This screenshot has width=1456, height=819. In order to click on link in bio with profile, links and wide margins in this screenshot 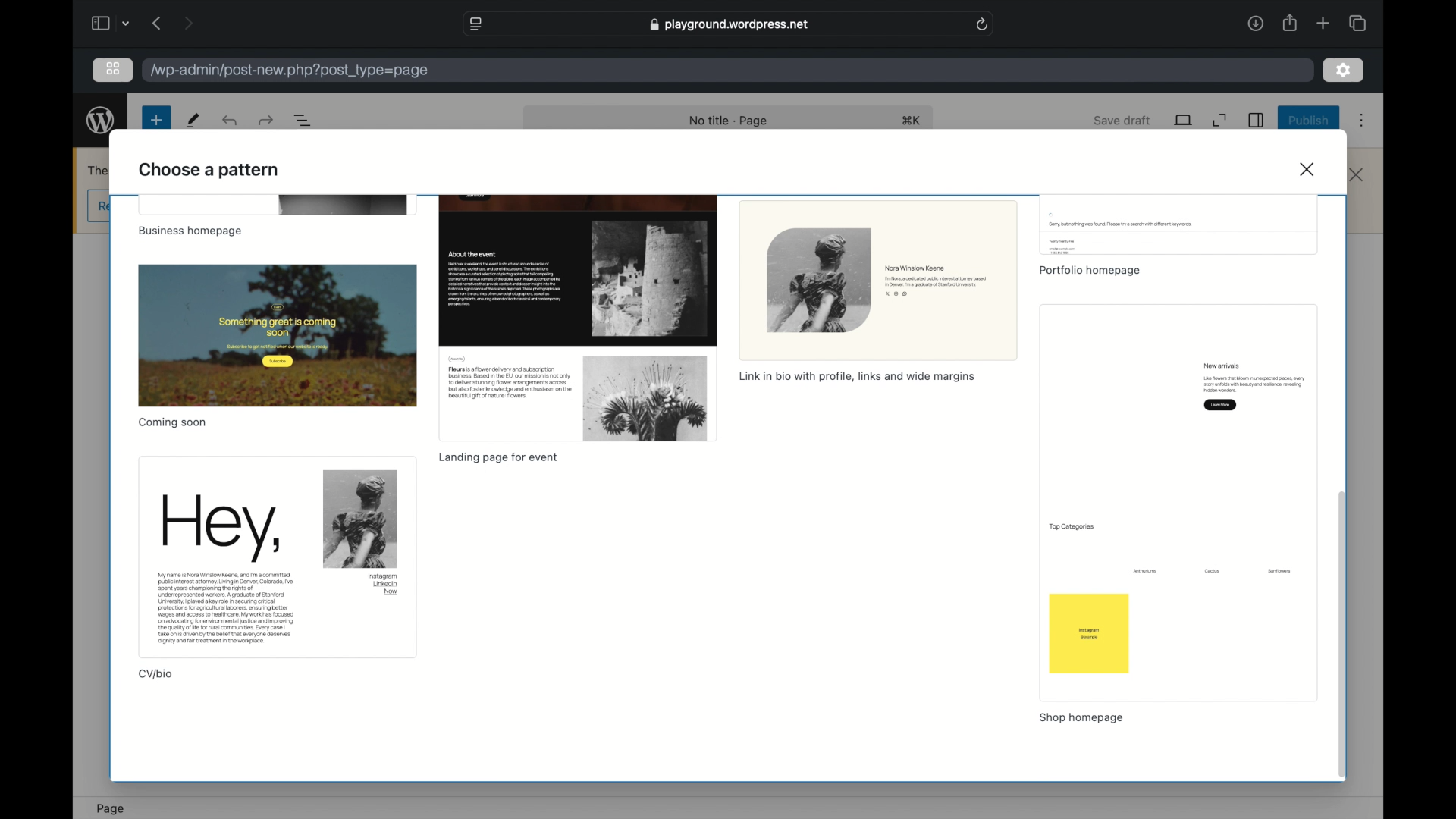, I will do `click(860, 376)`.